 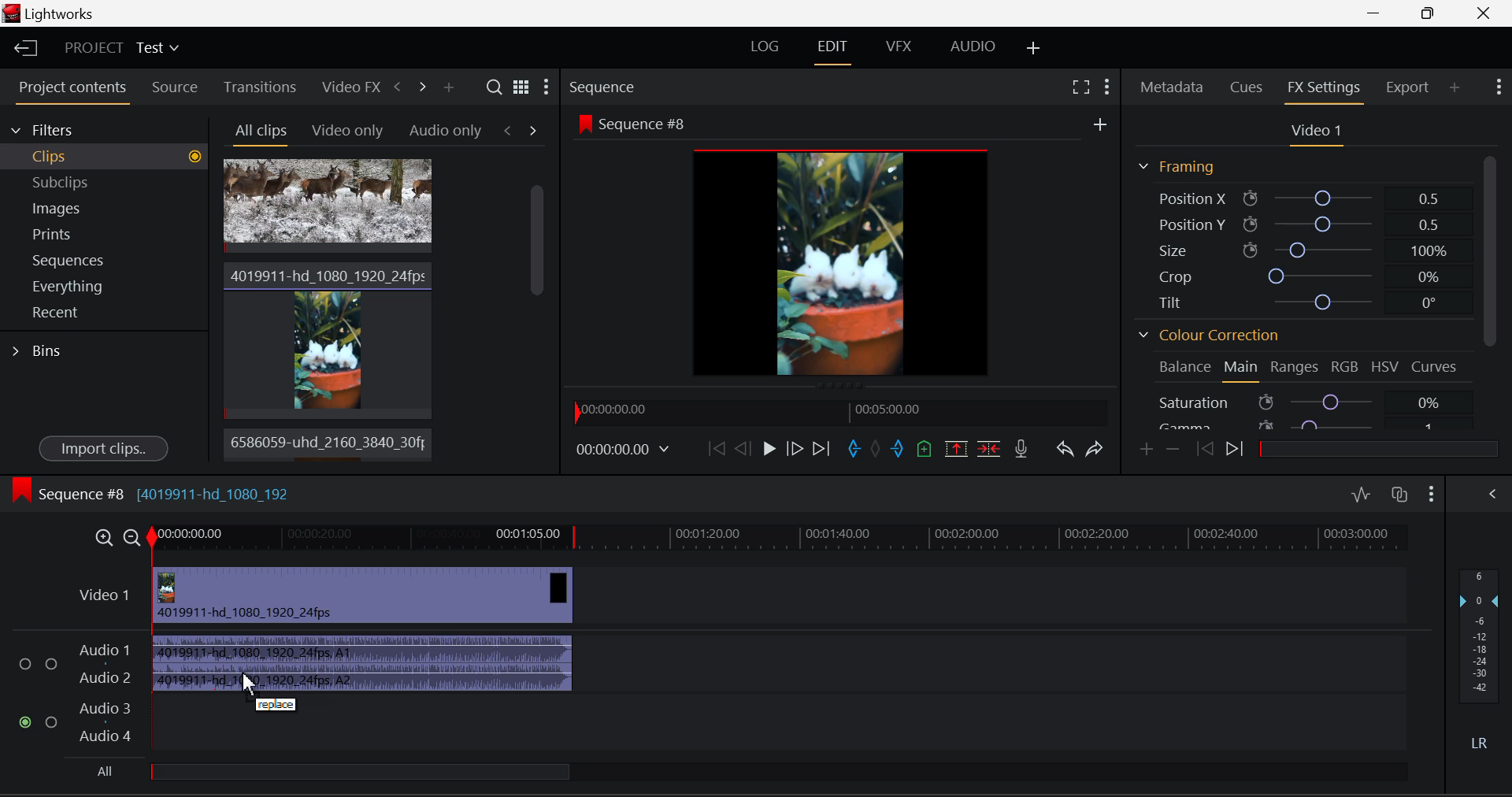 I want to click on Back to Homepage, so click(x=22, y=46).